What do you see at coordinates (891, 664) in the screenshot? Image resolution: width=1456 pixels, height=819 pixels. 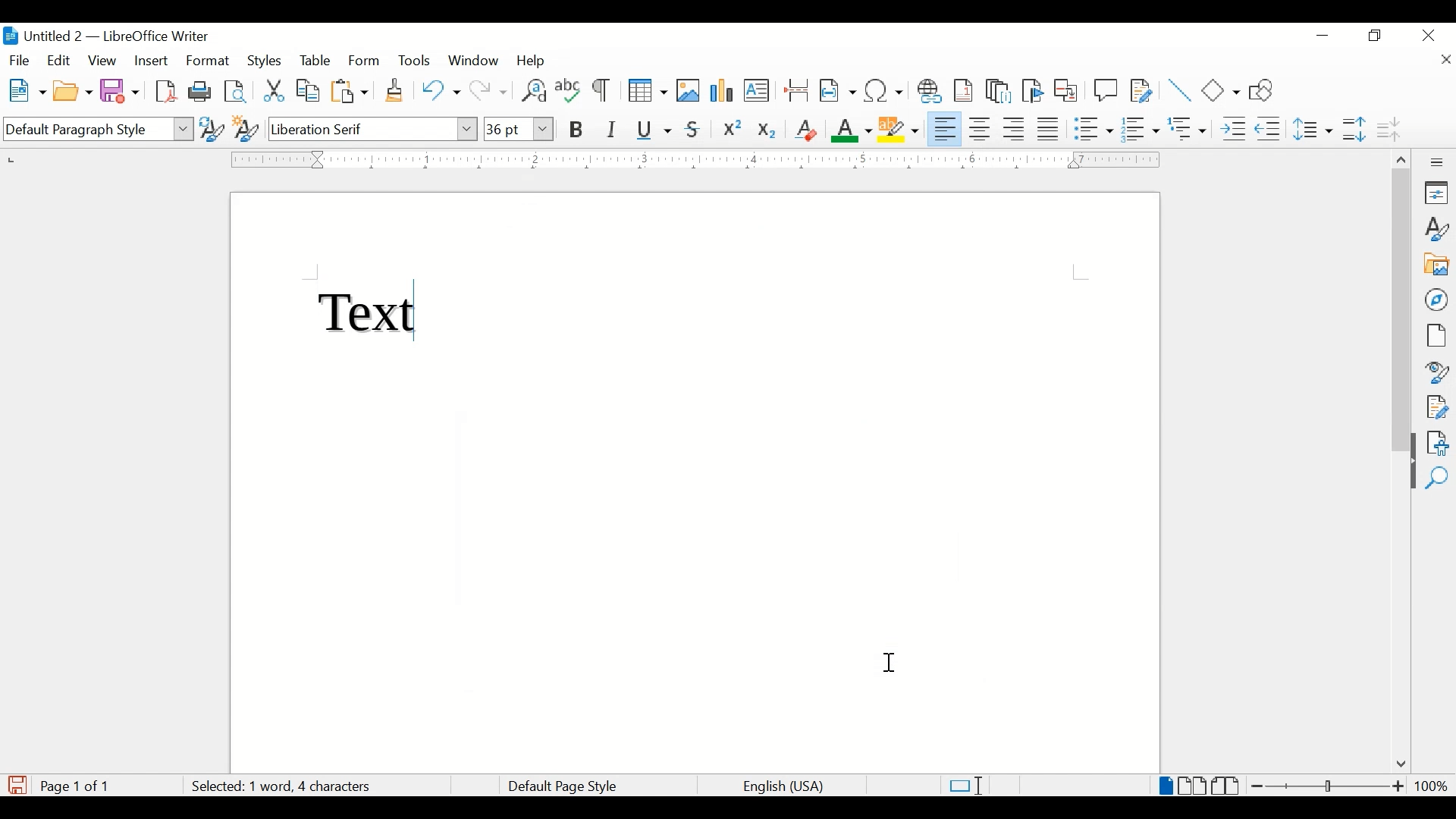 I see `I beam cursor` at bounding box center [891, 664].